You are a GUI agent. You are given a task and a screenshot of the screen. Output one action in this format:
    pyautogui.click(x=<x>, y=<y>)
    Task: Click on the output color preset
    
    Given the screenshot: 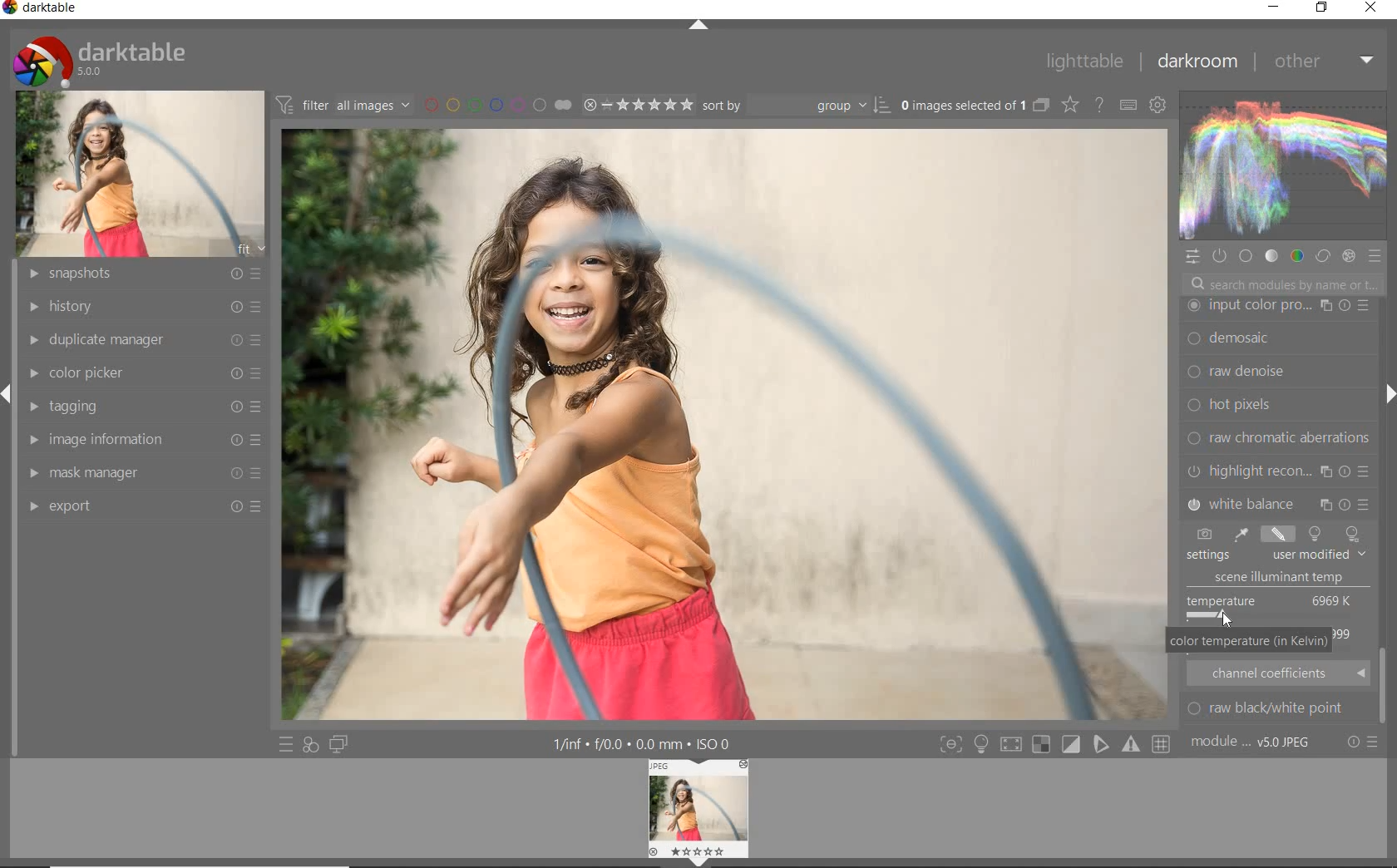 What is the action you would take?
    pyautogui.click(x=1276, y=405)
    